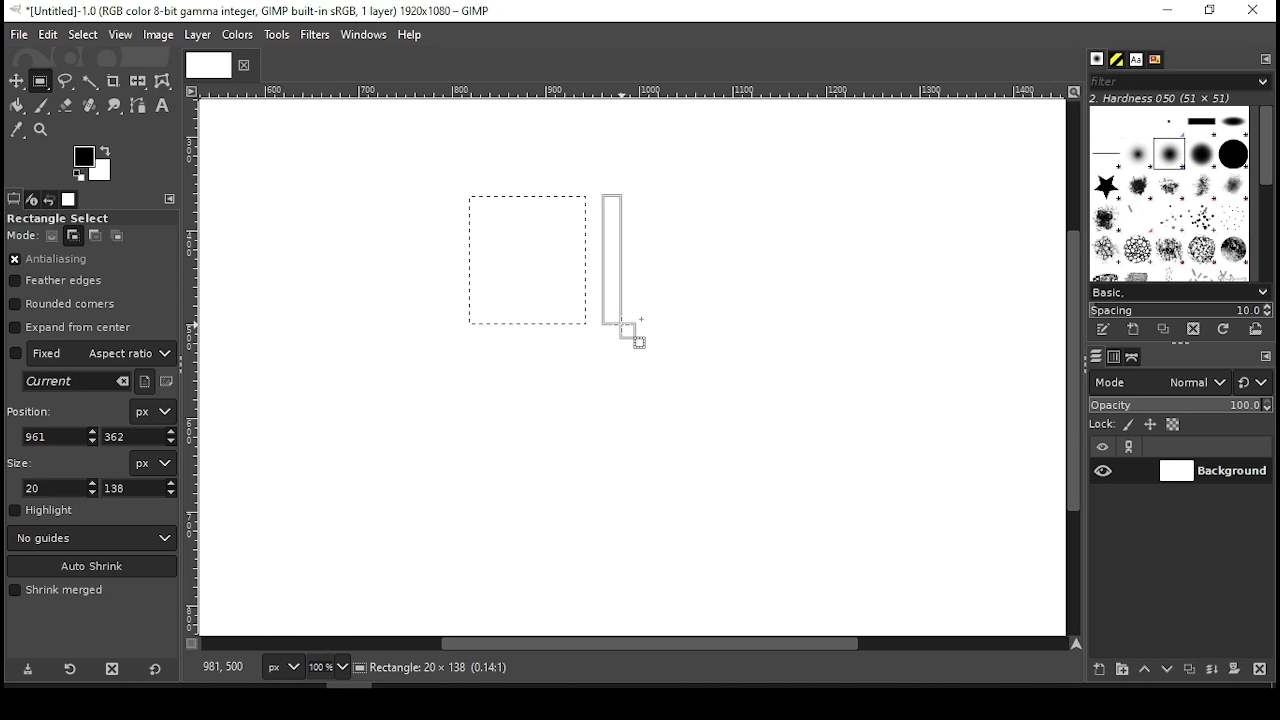 The height and width of the screenshot is (720, 1280). I want to click on layer visibility, so click(1103, 447).